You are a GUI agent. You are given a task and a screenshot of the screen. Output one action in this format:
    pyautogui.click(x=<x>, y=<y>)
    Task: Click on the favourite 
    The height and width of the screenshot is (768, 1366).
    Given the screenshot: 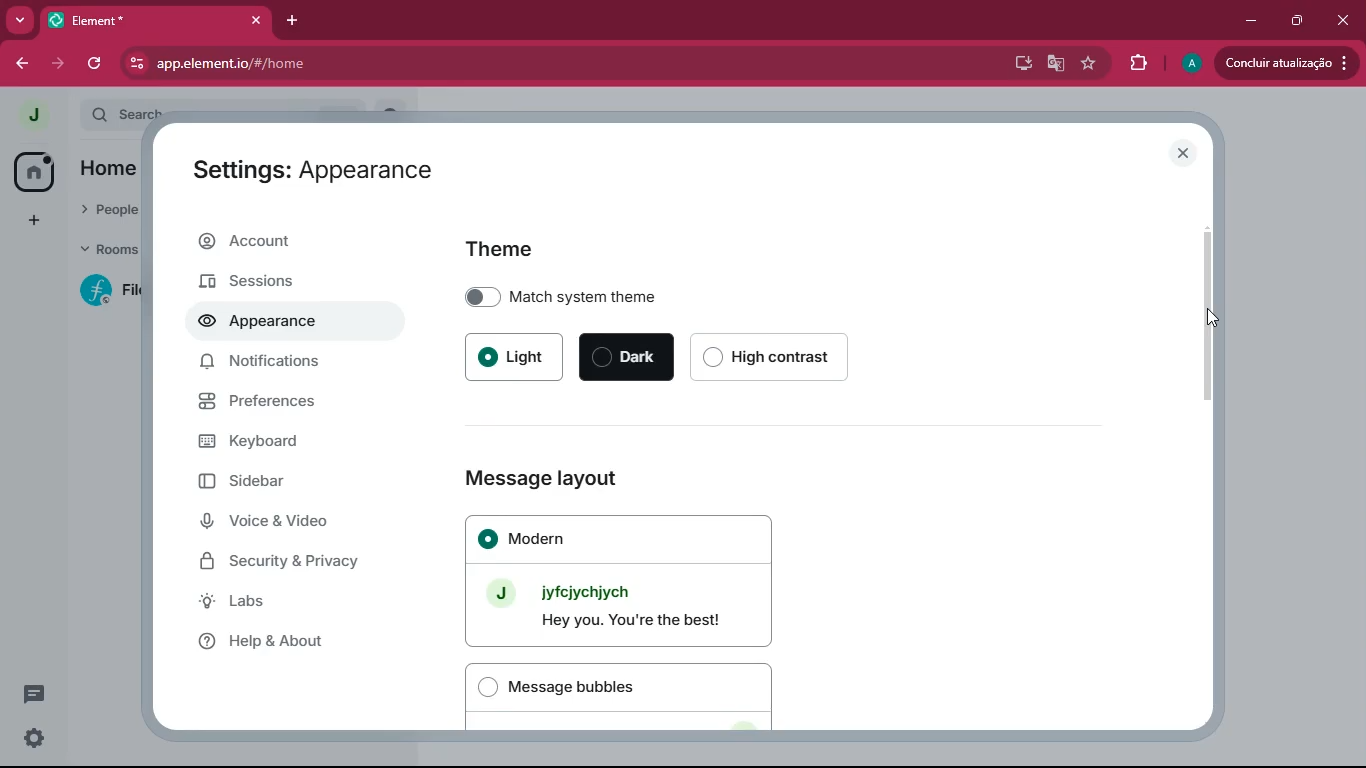 What is the action you would take?
    pyautogui.click(x=1088, y=64)
    